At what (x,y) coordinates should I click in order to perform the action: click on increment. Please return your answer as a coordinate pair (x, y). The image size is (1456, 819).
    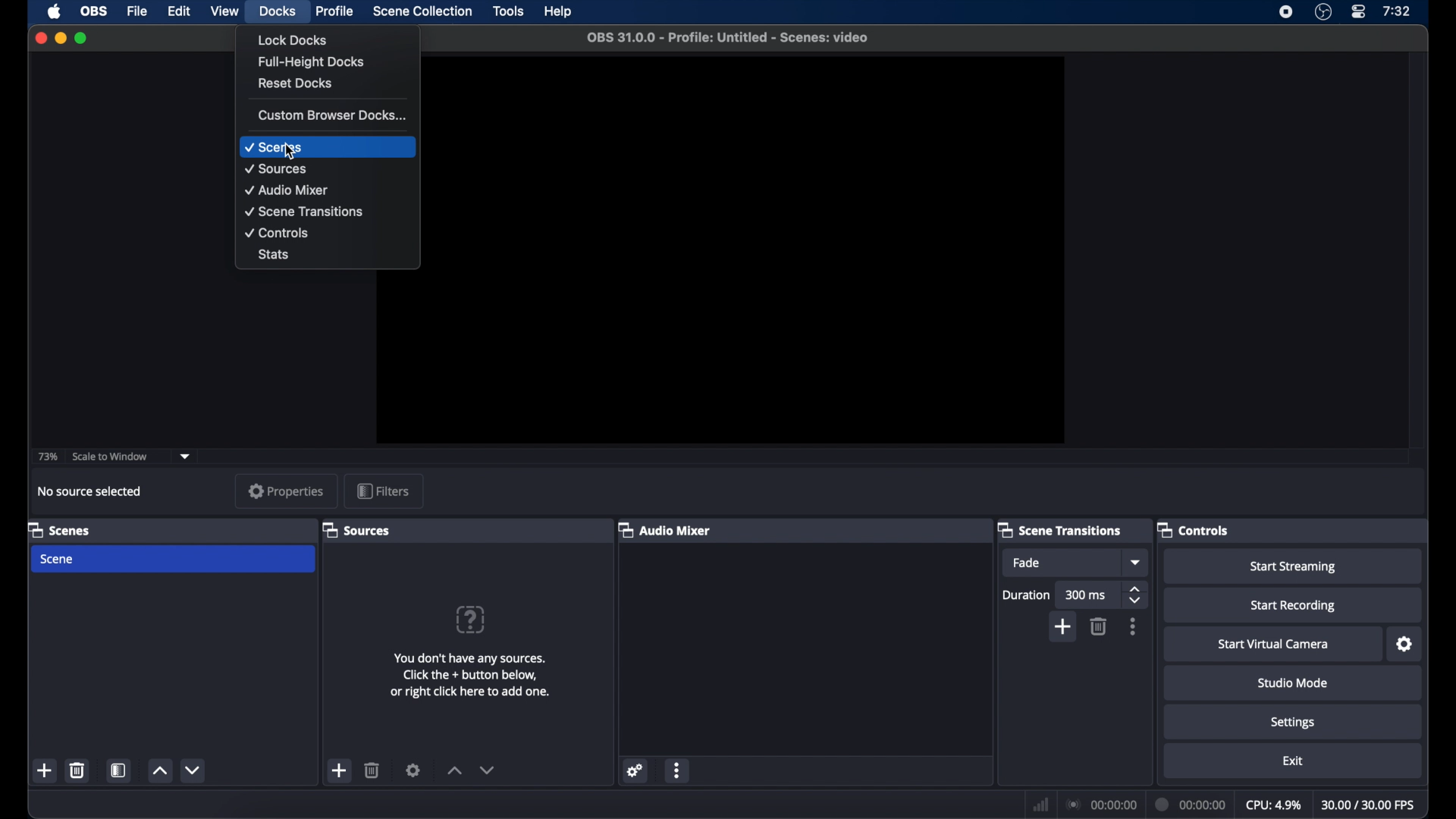
    Looking at the image, I should click on (455, 771).